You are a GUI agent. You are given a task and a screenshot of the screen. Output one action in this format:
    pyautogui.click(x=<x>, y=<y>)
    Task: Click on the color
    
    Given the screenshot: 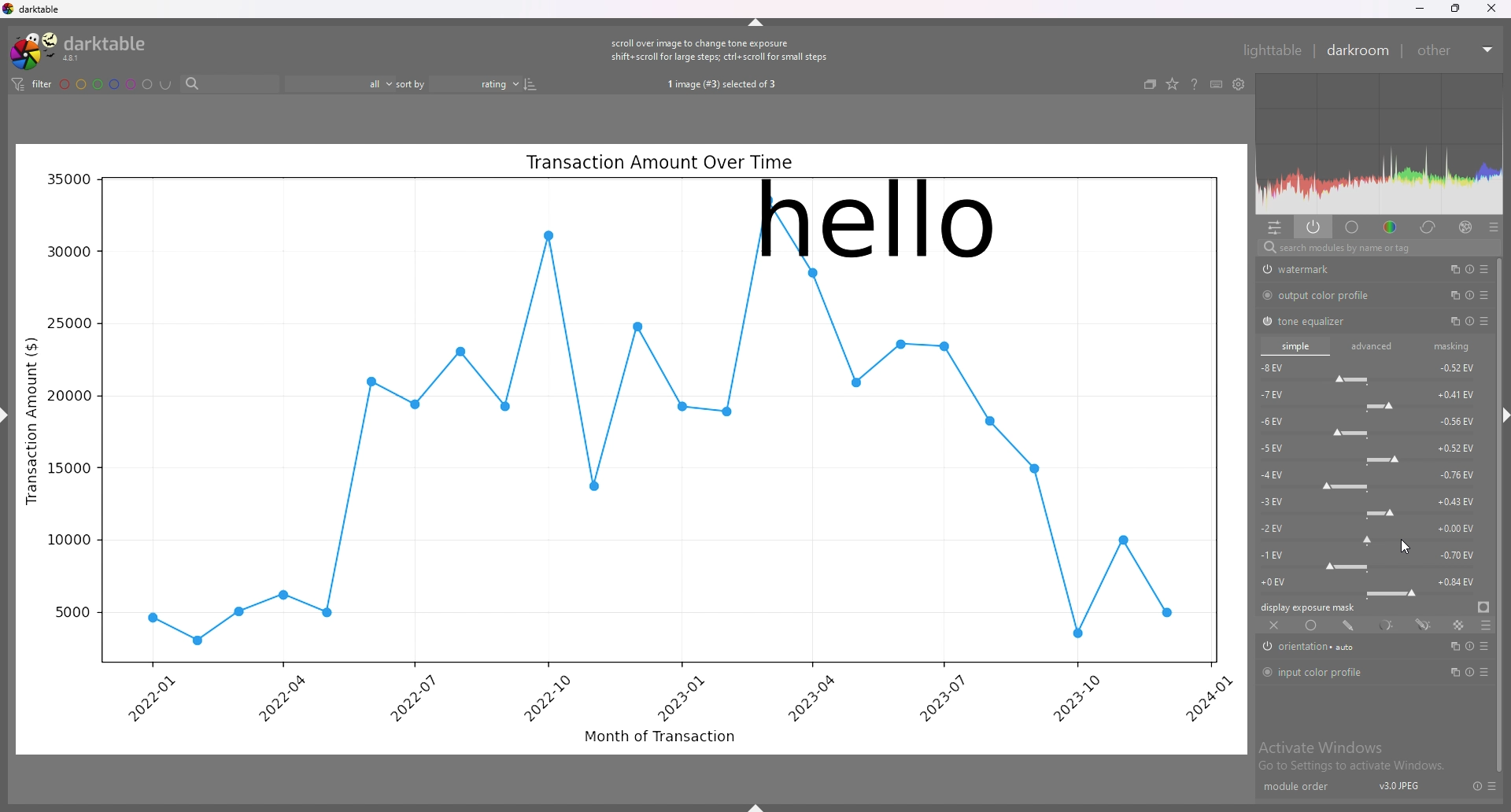 What is the action you would take?
    pyautogui.click(x=1391, y=227)
    